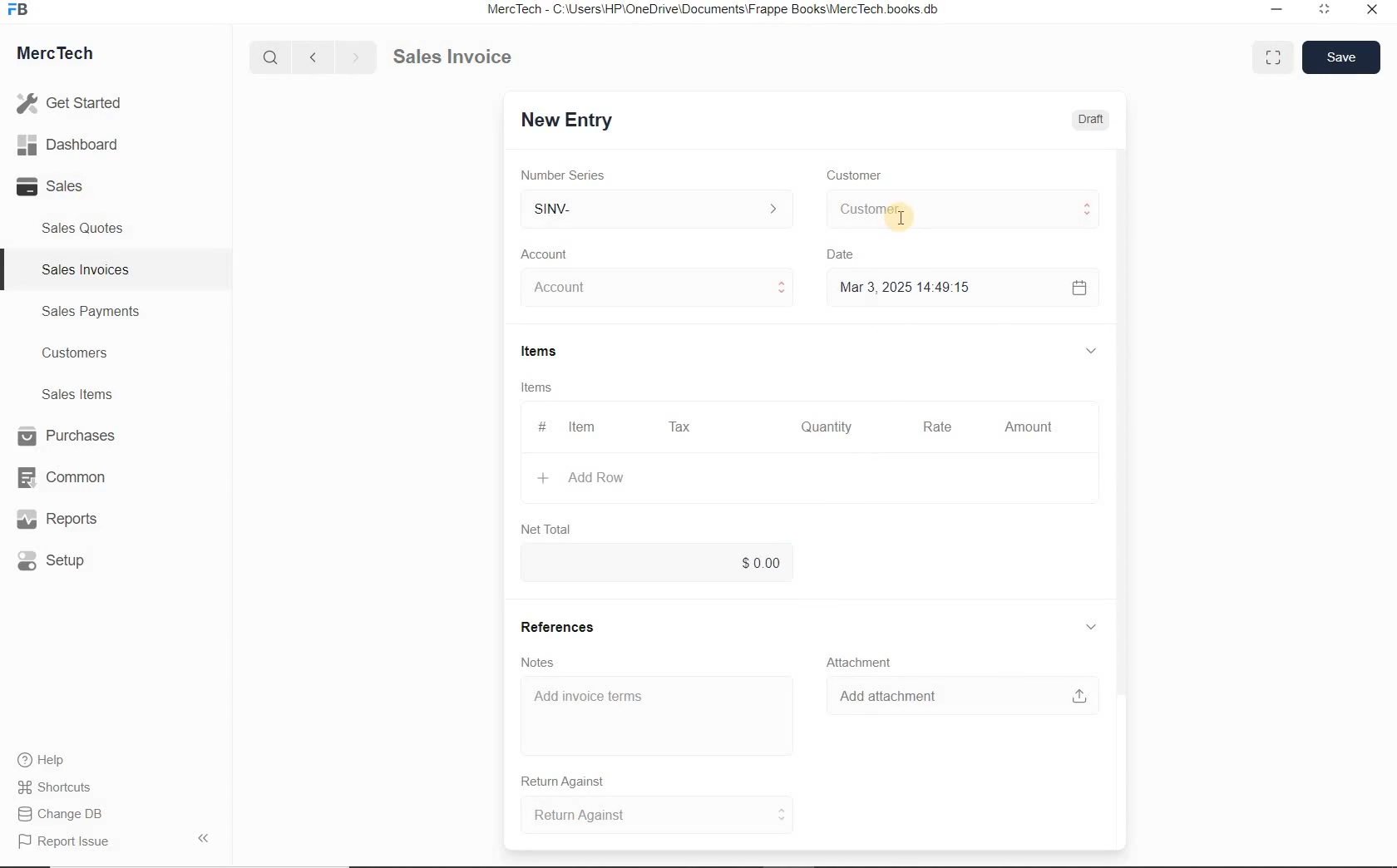 This screenshot has height=868, width=1397. I want to click on $0.00, so click(658, 560).